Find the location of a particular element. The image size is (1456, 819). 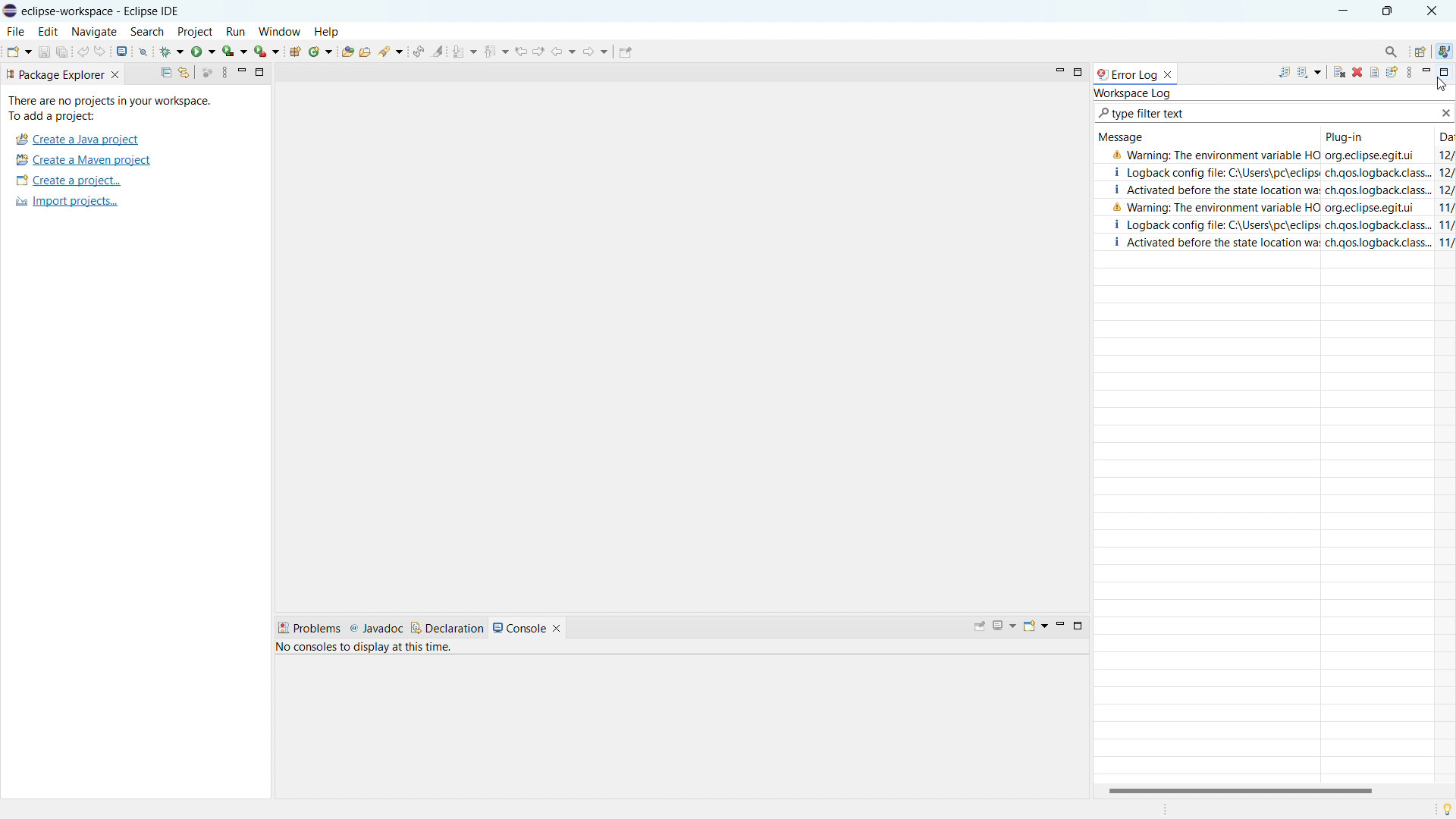

m is located at coordinates (1425, 73).